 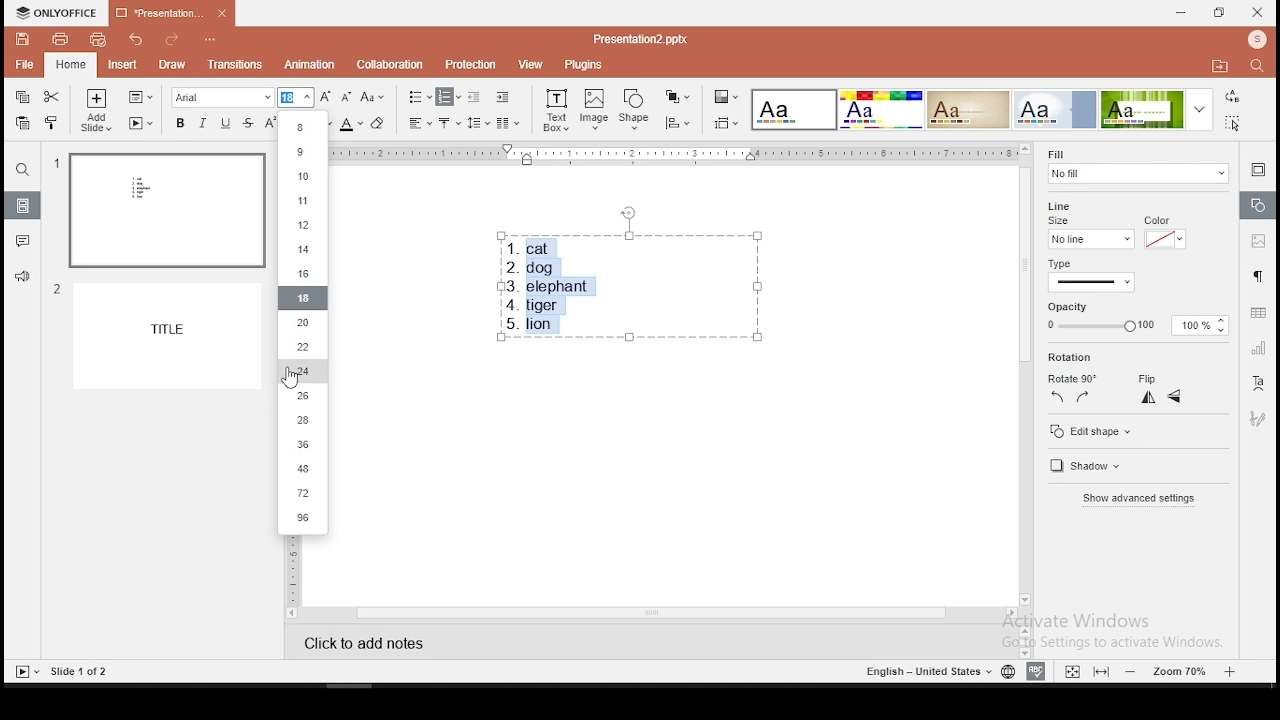 What do you see at coordinates (1071, 358) in the screenshot?
I see `rotation` at bounding box center [1071, 358].